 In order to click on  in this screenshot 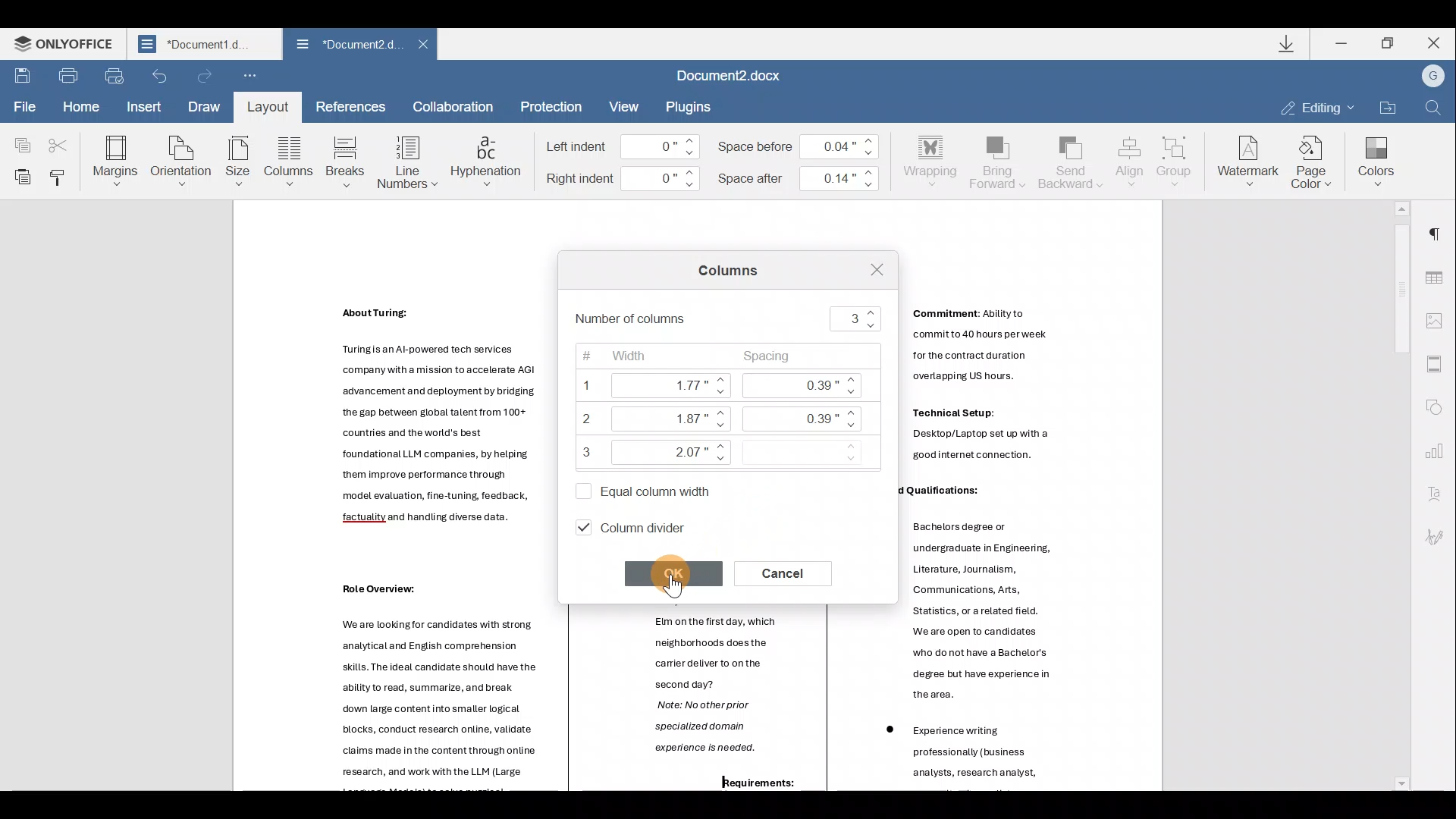, I will do `click(373, 313)`.